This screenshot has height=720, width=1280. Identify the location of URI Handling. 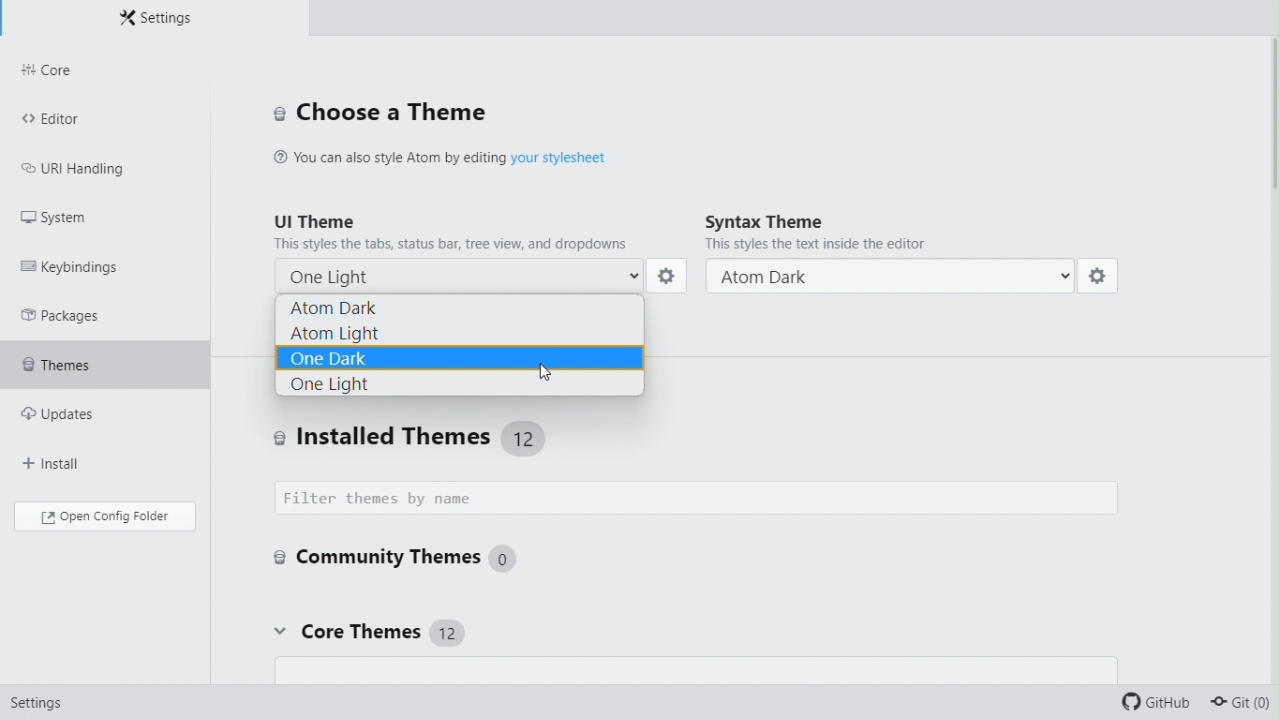
(90, 173).